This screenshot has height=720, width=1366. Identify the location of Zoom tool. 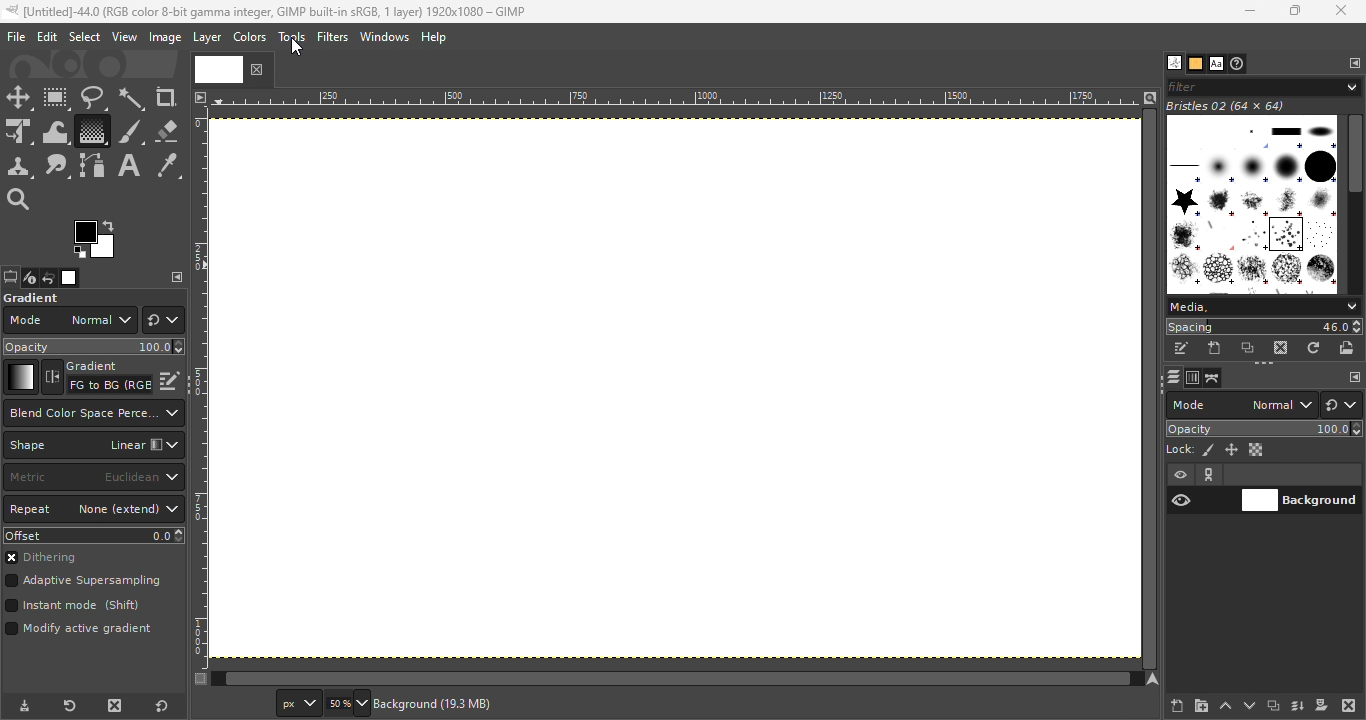
(20, 197).